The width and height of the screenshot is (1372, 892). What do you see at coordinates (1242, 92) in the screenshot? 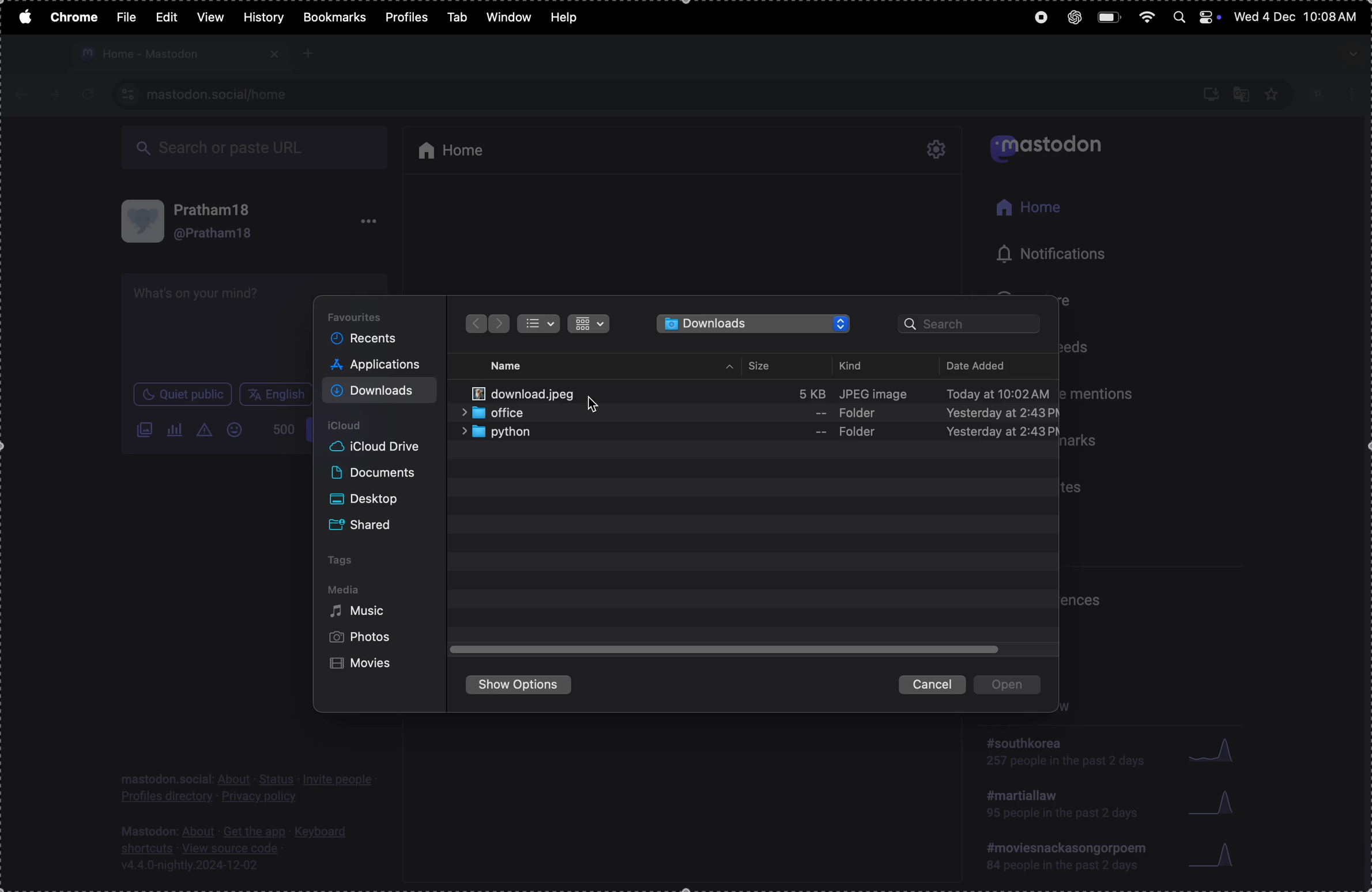
I see `translate` at bounding box center [1242, 92].